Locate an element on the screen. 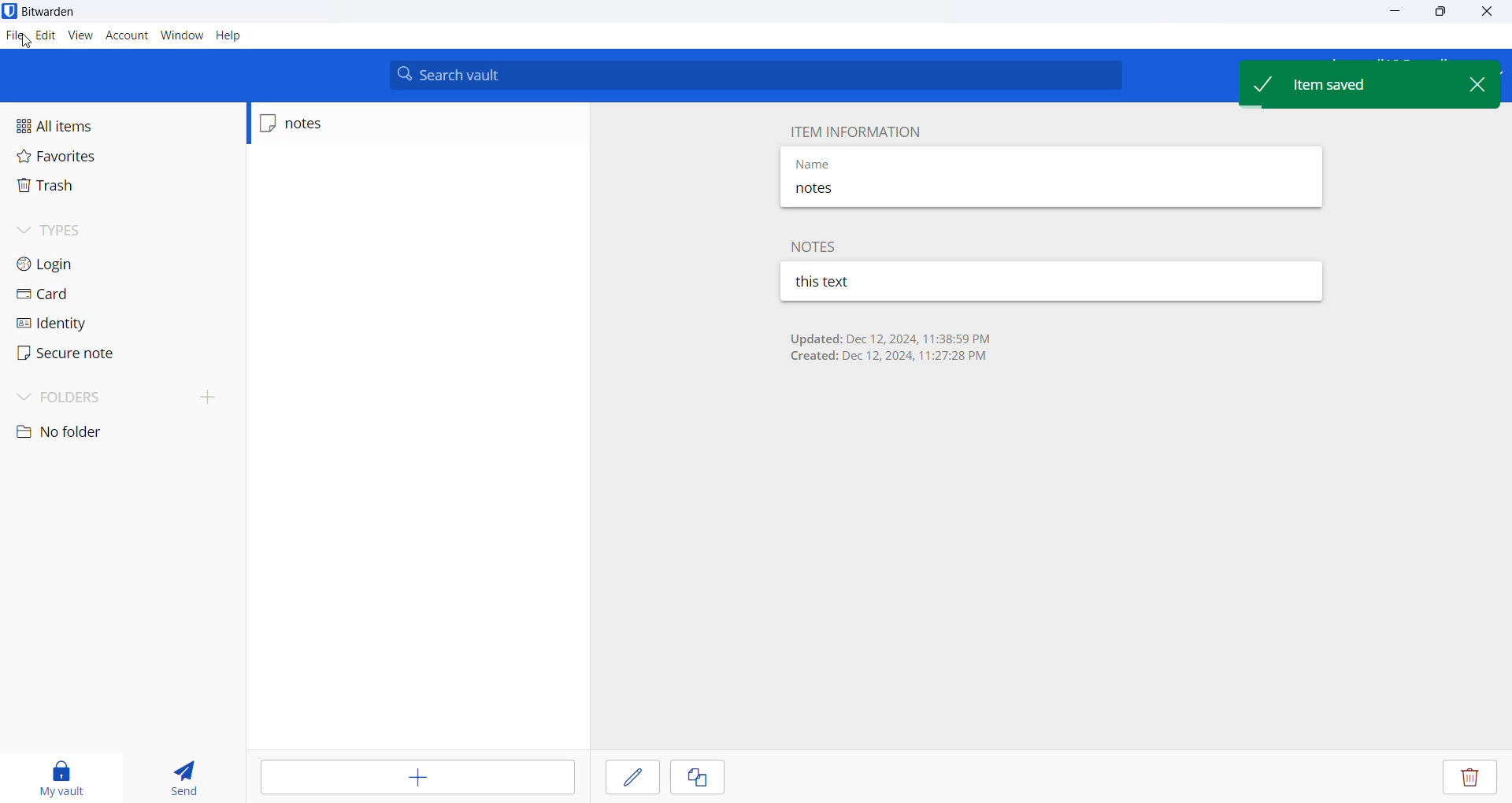 This screenshot has width=1512, height=803. notes is located at coordinates (873, 191).